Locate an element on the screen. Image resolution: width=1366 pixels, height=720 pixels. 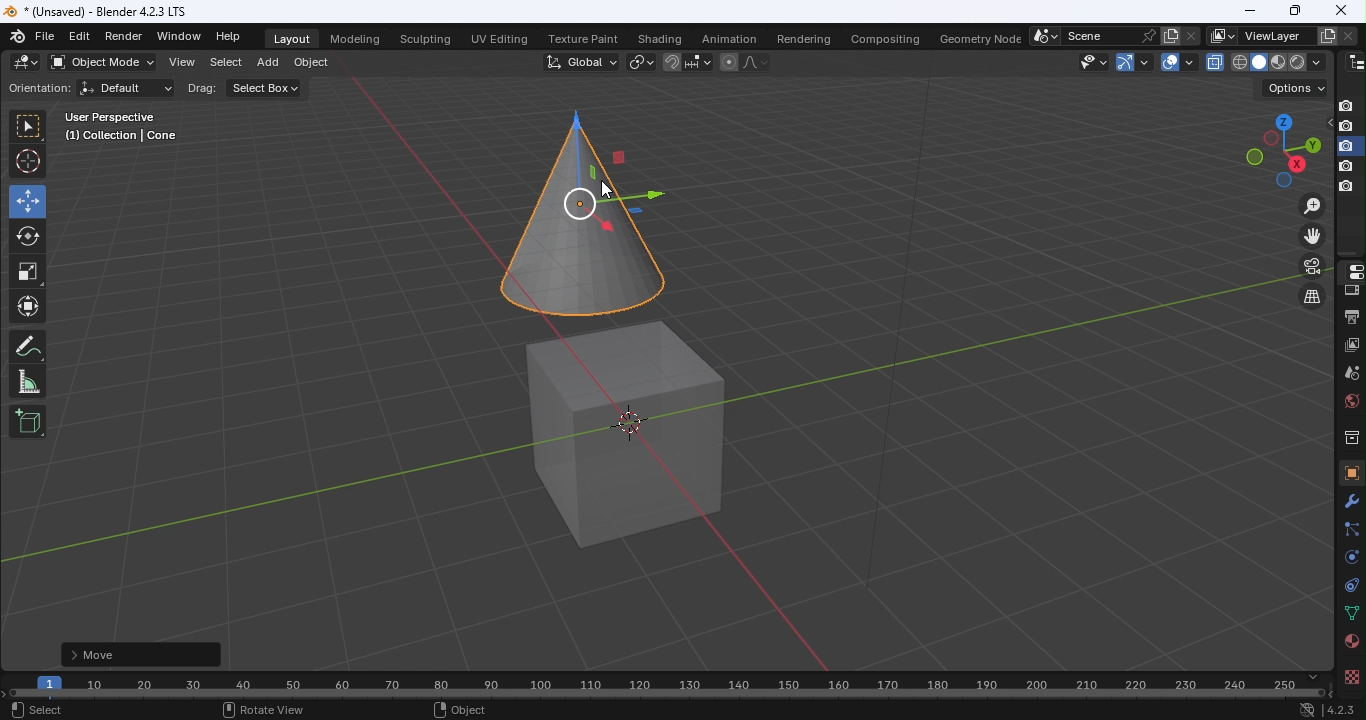
Sculpting is located at coordinates (425, 40).